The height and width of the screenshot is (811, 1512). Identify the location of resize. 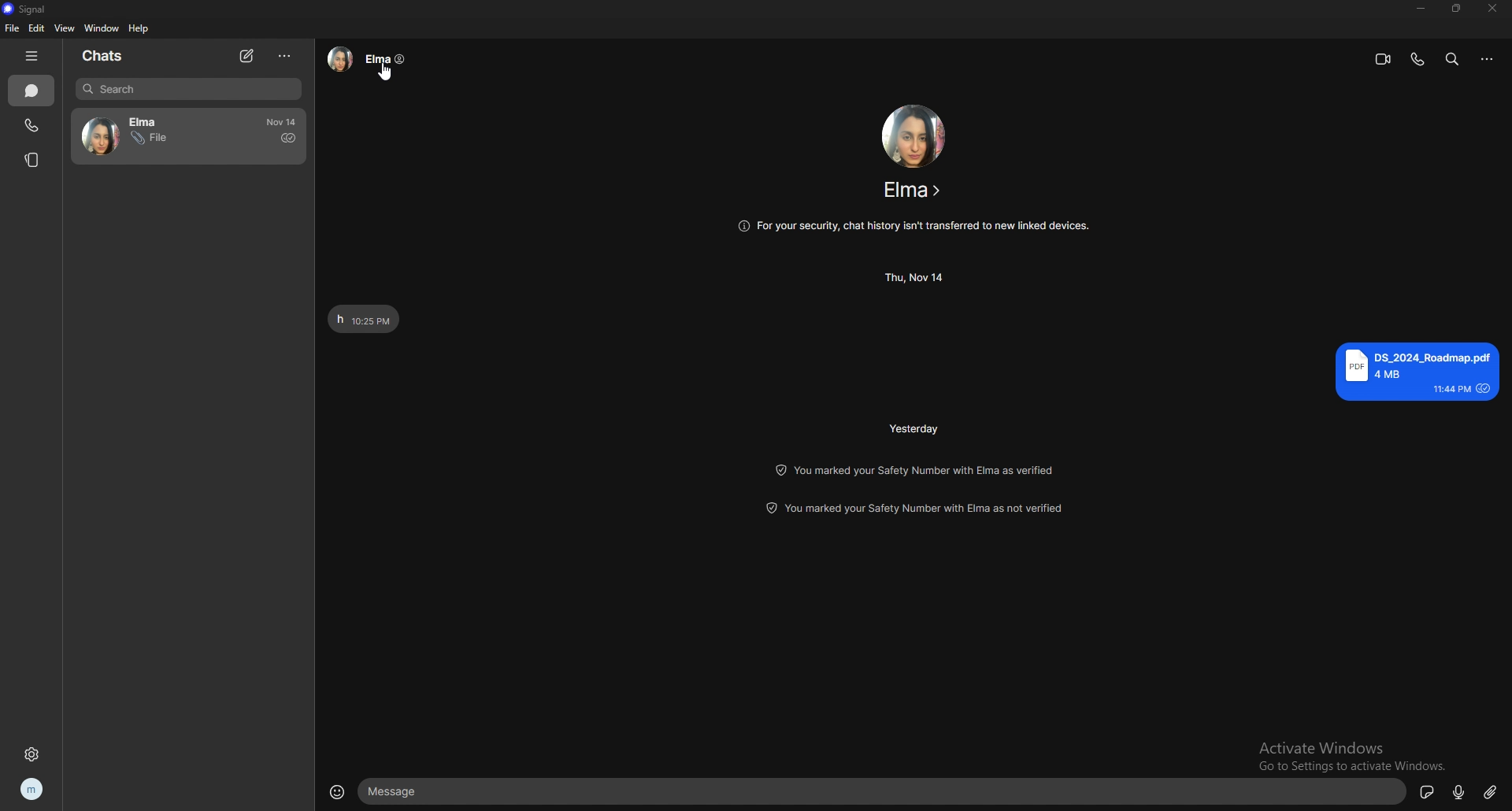
(1456, 9).